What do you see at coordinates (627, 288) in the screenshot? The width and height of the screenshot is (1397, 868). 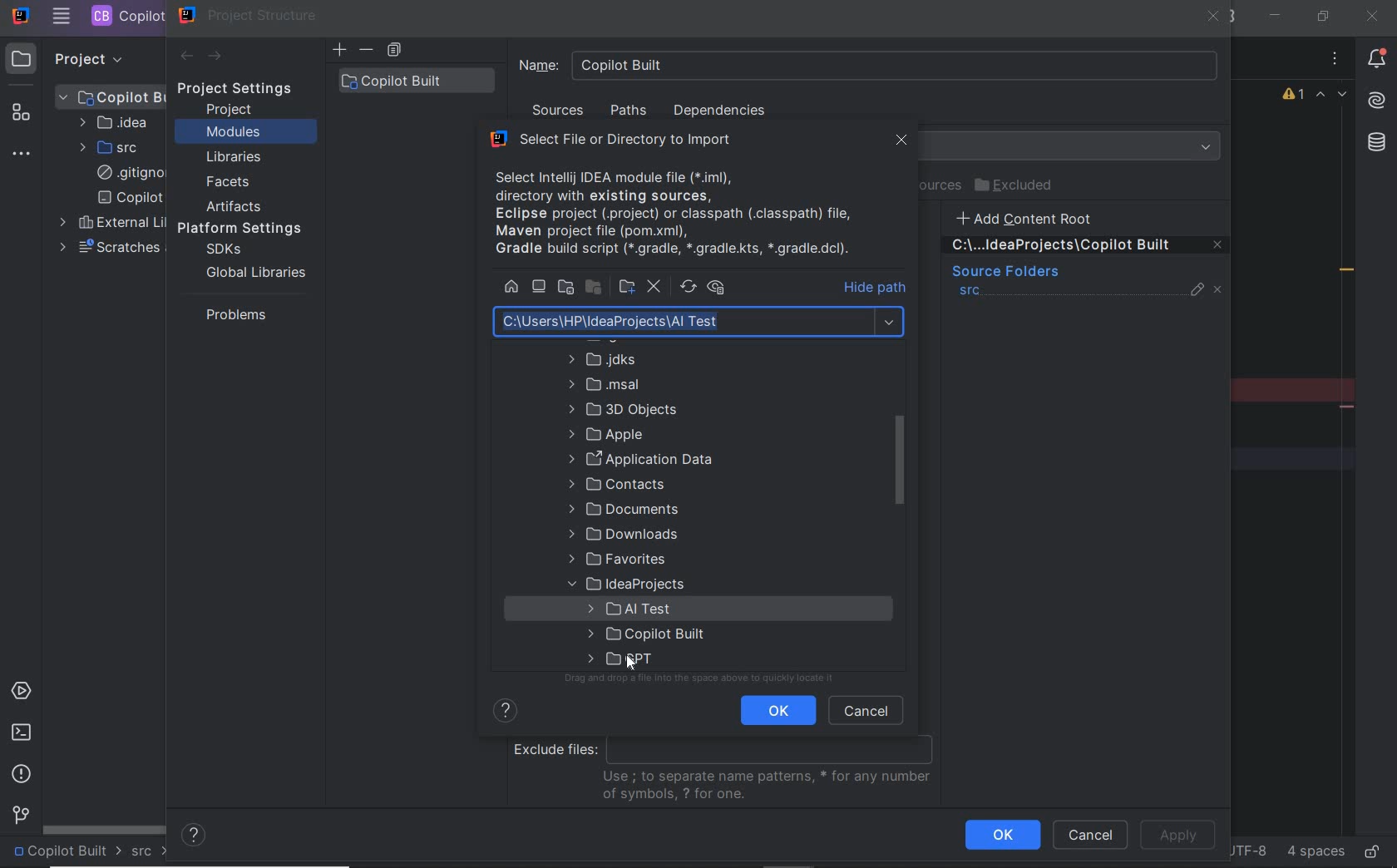 I see `new directory` at bounding box center [627, 288].